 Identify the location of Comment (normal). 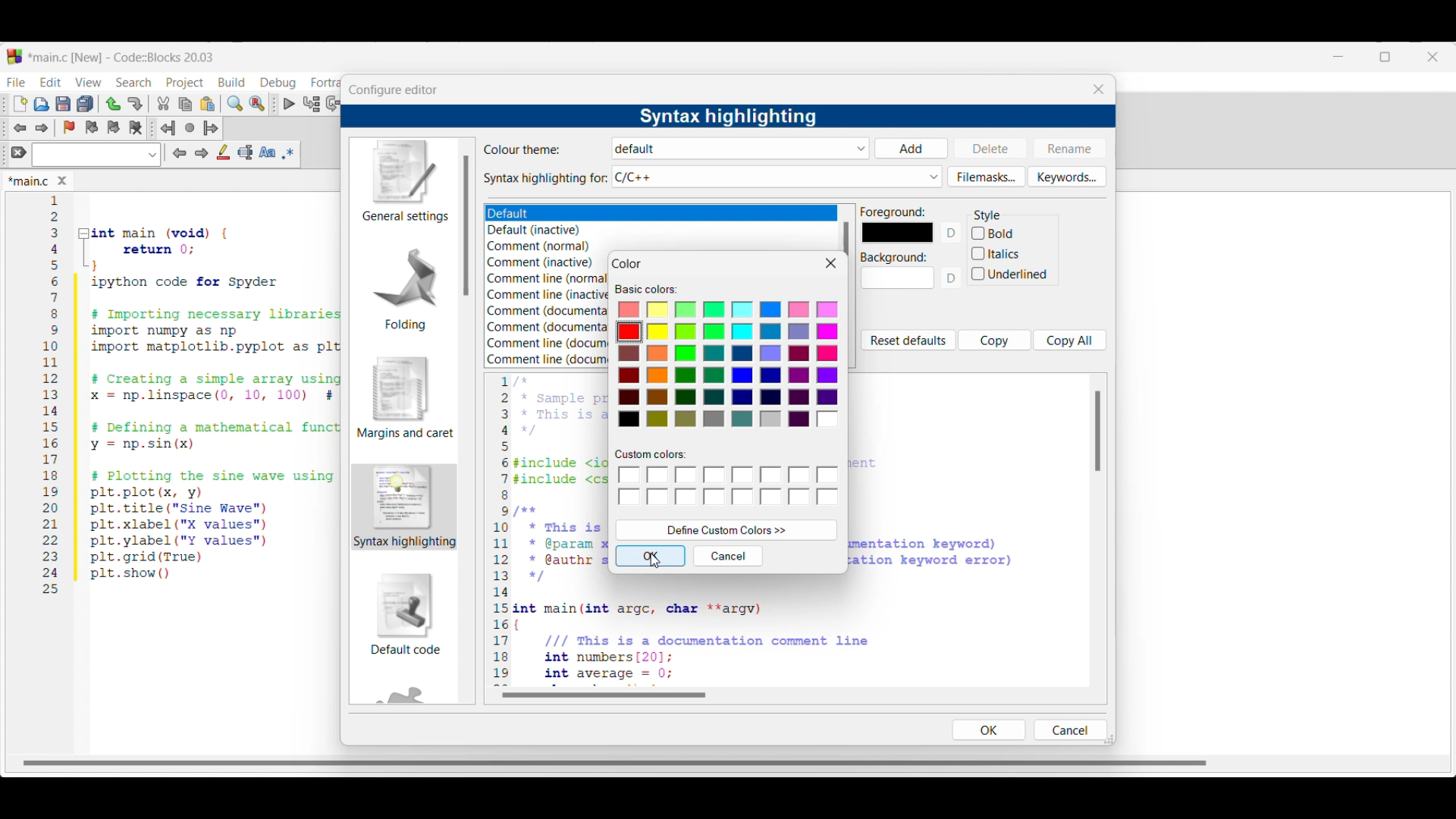
(544, 247).